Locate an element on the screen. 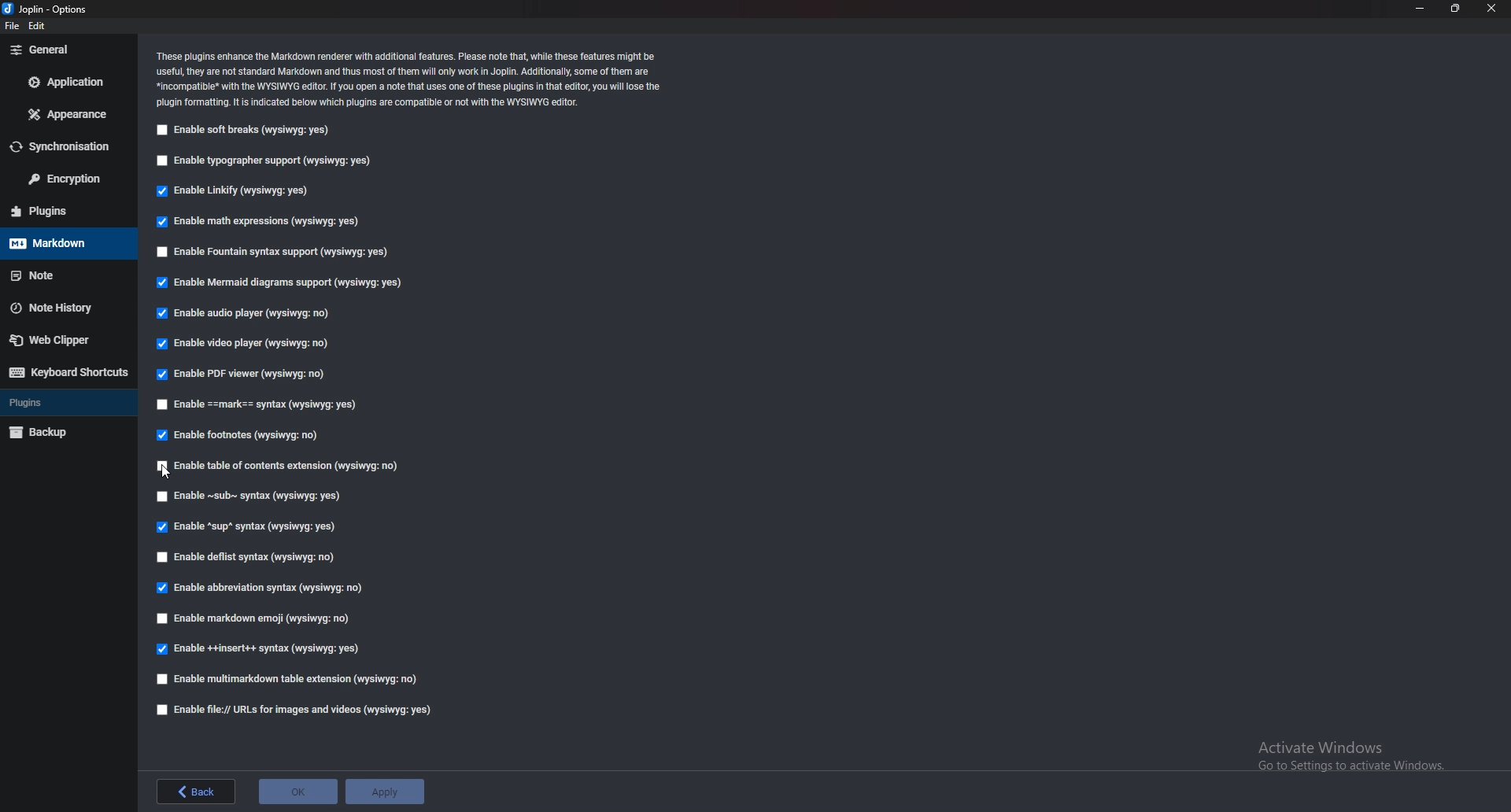 The image size is (1511, 812). file is located at coordinates (13, 26).